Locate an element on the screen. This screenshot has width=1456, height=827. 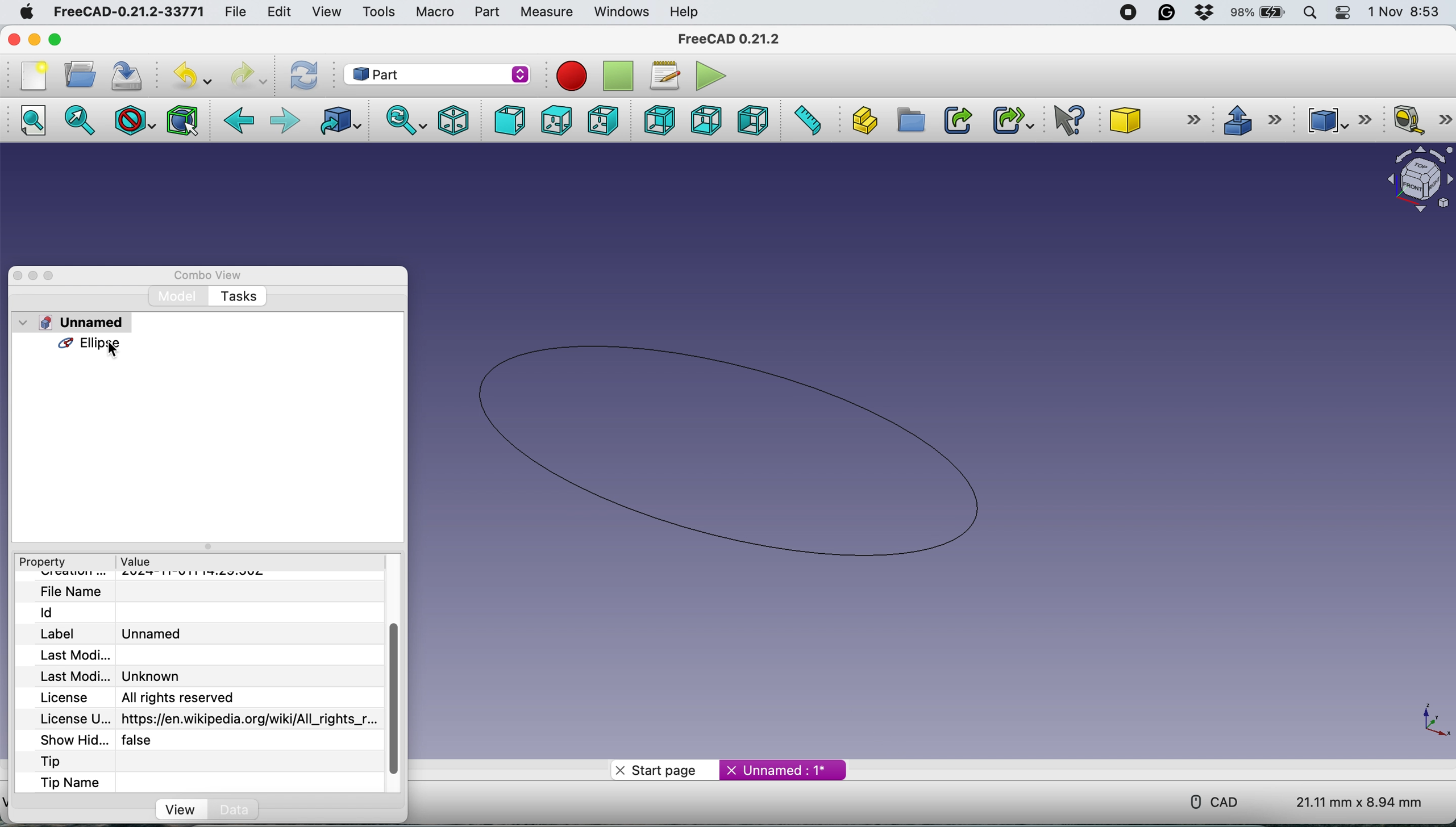
execute macros is located at coordinates (708, 76).